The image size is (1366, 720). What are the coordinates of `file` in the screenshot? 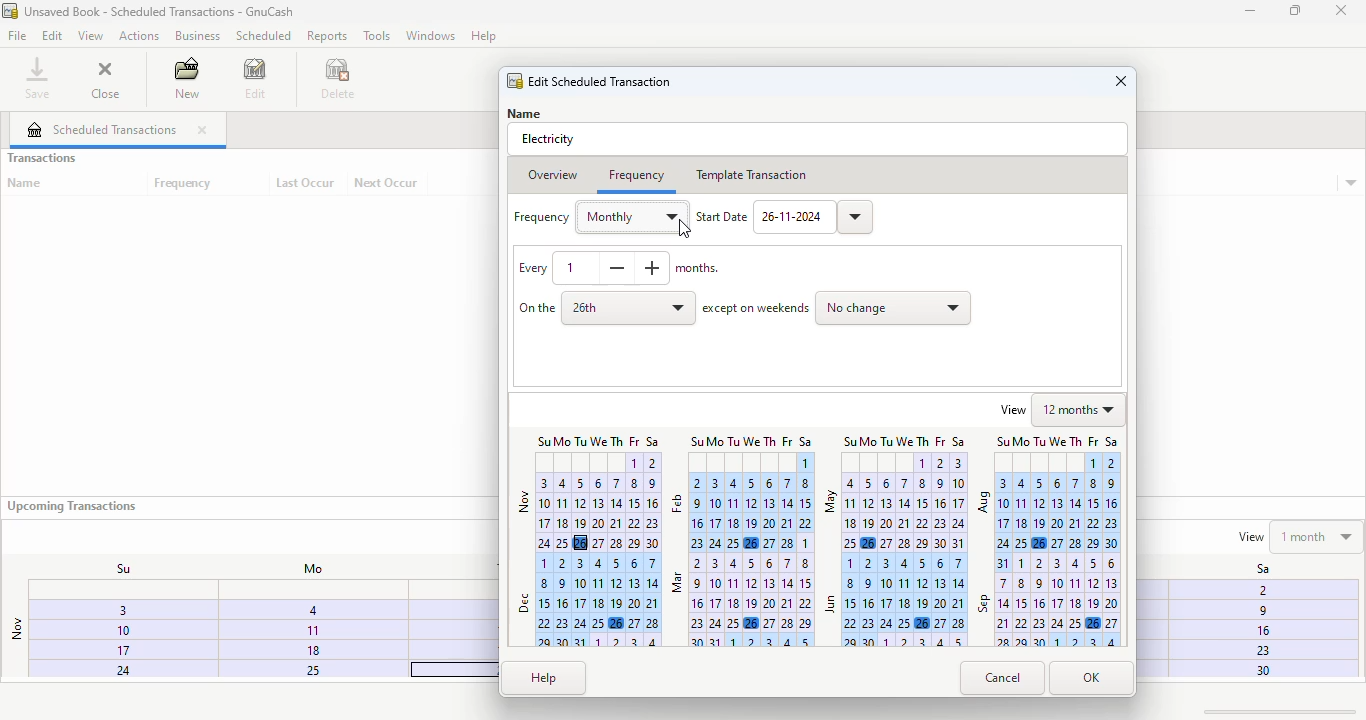 It's located at (17, 35).